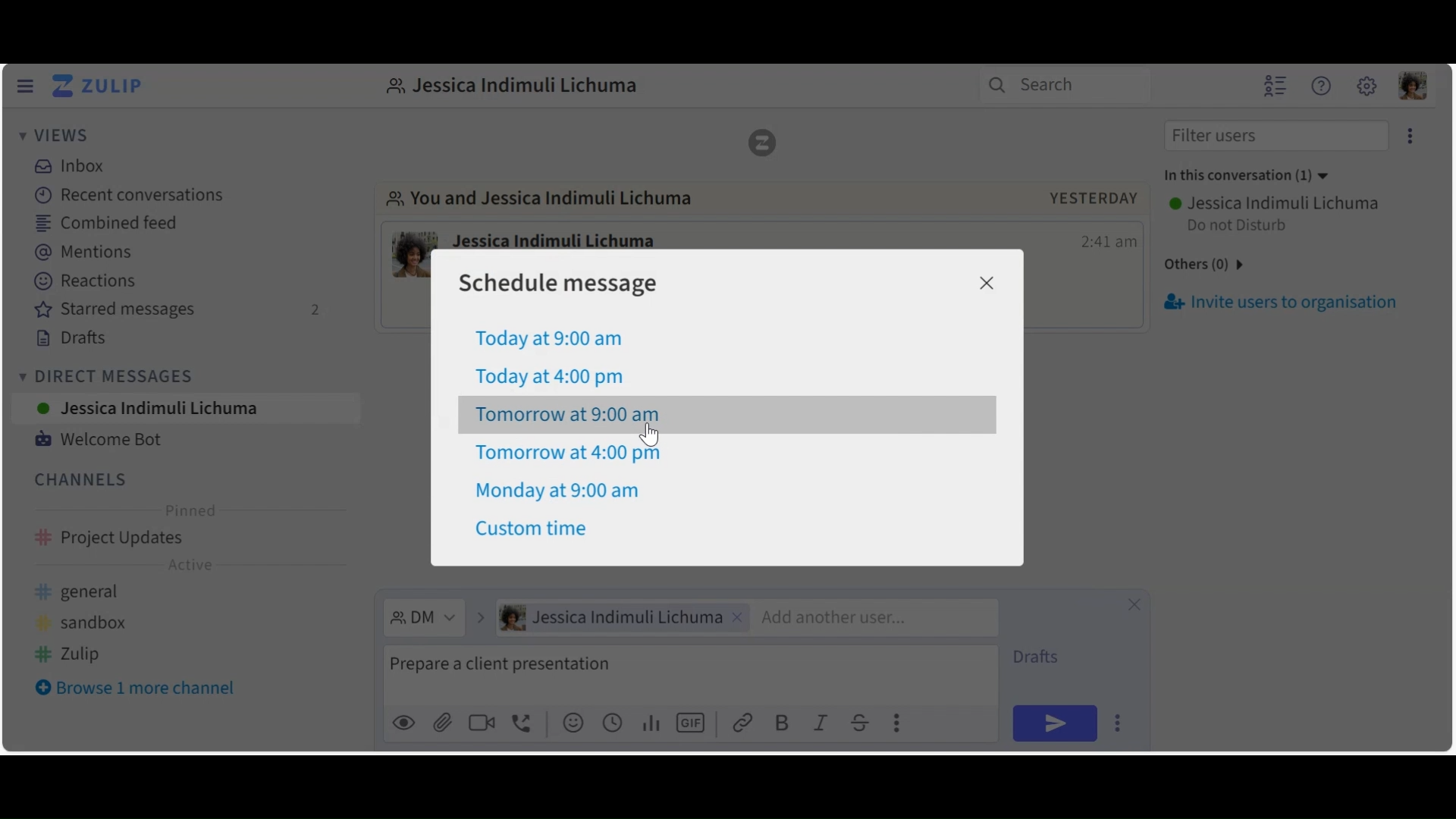 The image size is (1456, 819). I want to click on zulip, so click(69, 654).